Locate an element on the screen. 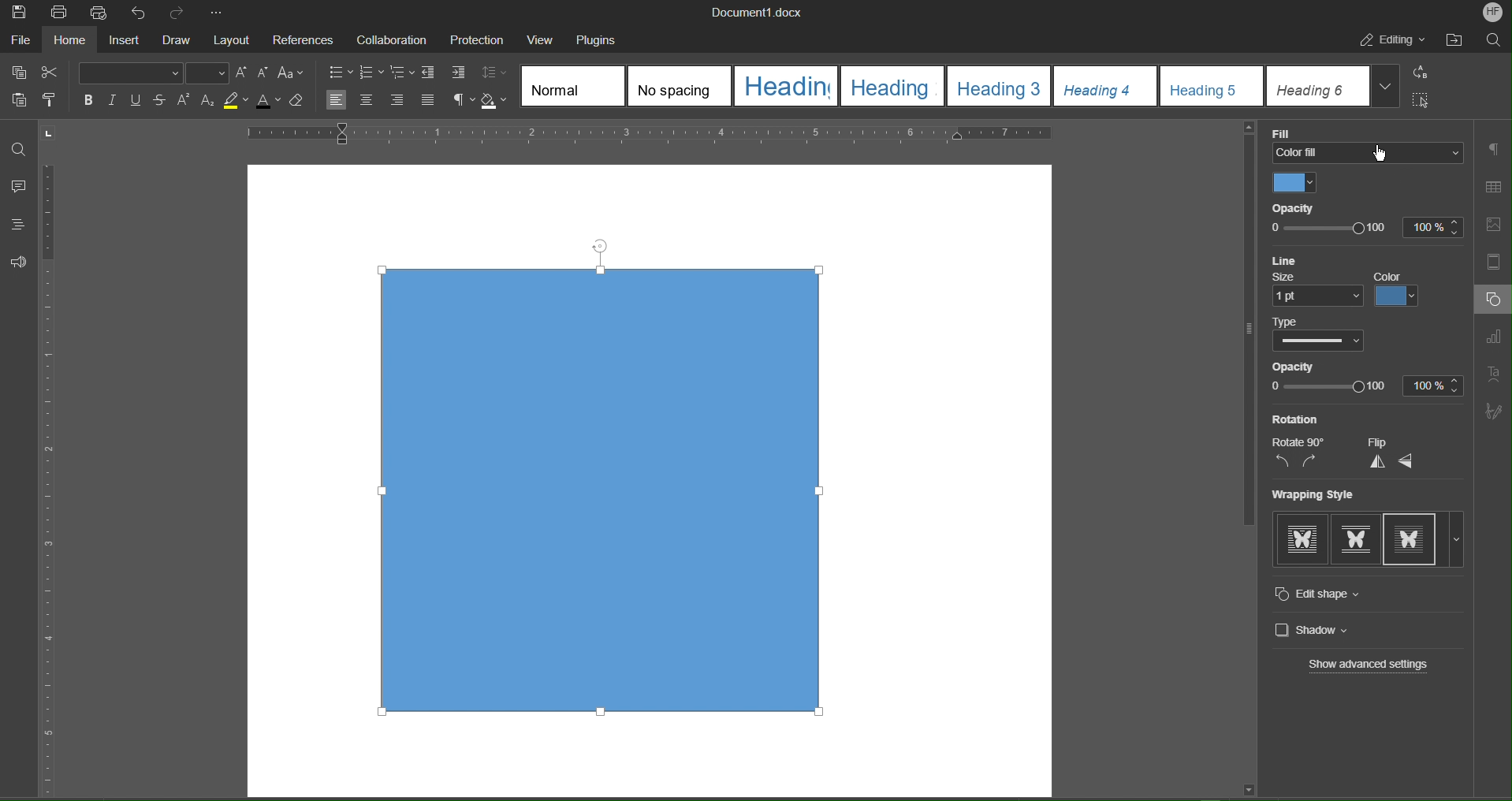  References is located at coordinates (306, 38).